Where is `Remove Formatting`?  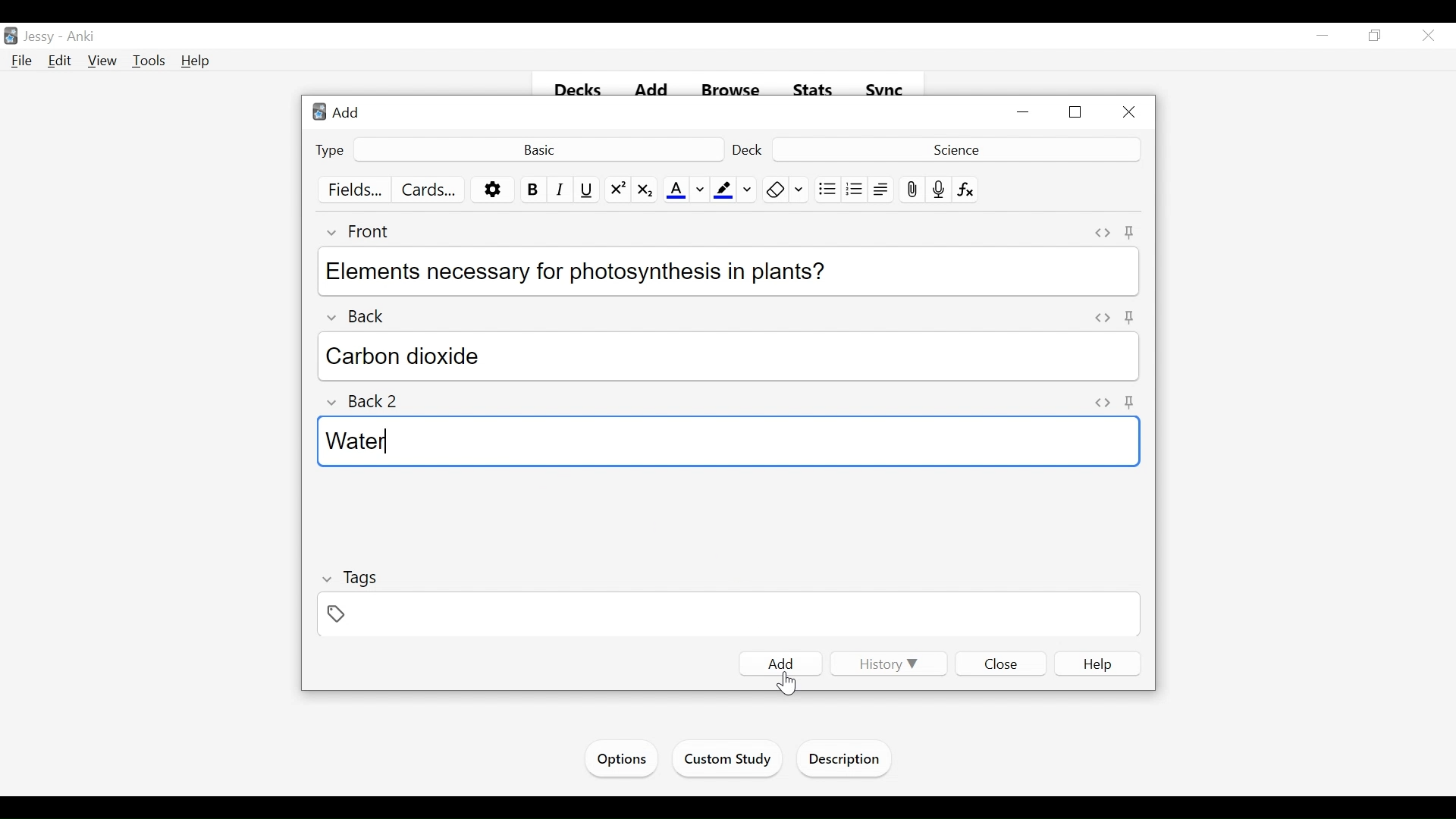
Remove Formatting is located at coordinates (775, 190).